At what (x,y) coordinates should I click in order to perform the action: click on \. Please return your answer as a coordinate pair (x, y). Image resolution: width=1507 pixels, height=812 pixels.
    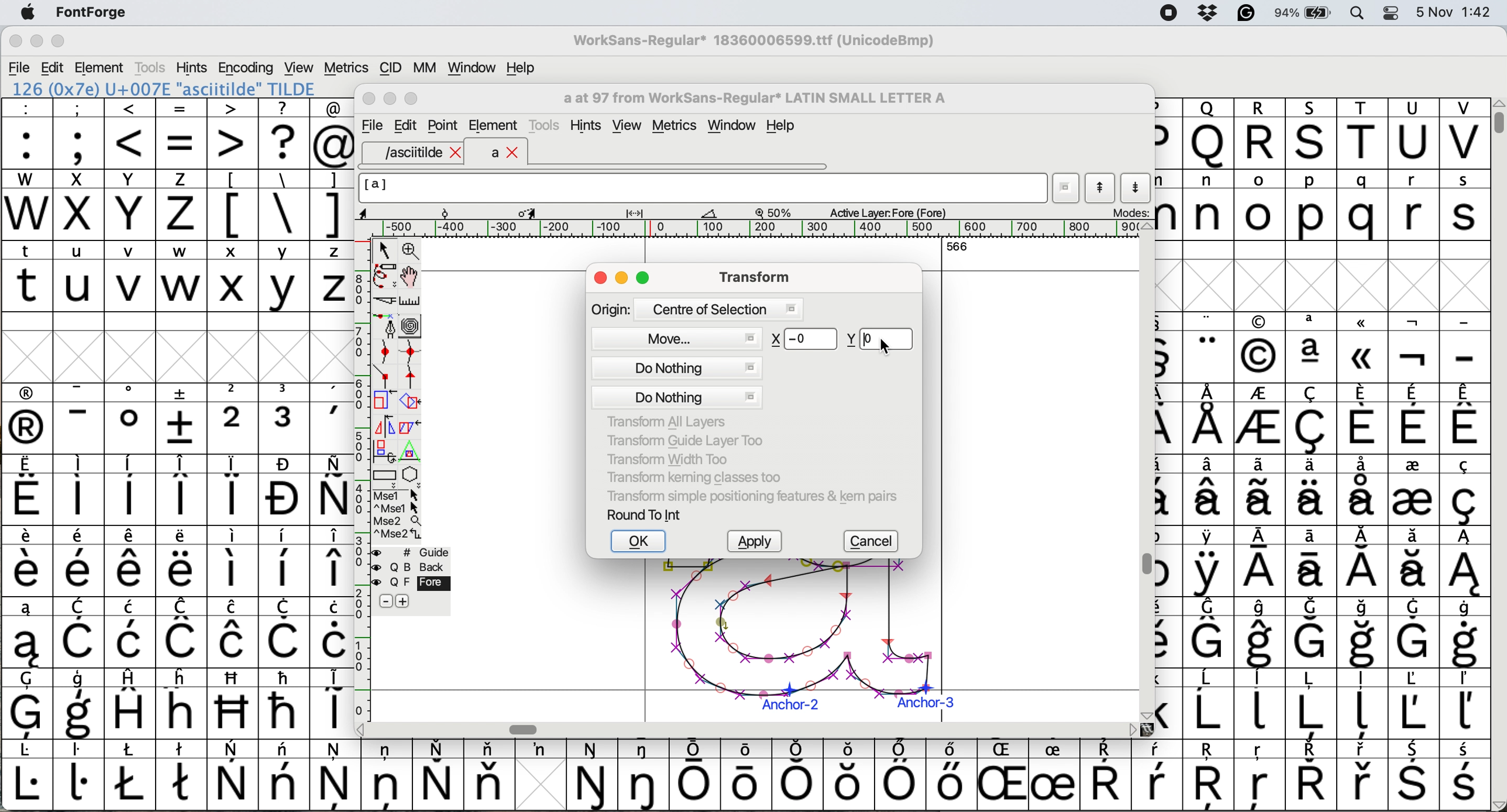
    Looking at the image, I should click on (283, 205).